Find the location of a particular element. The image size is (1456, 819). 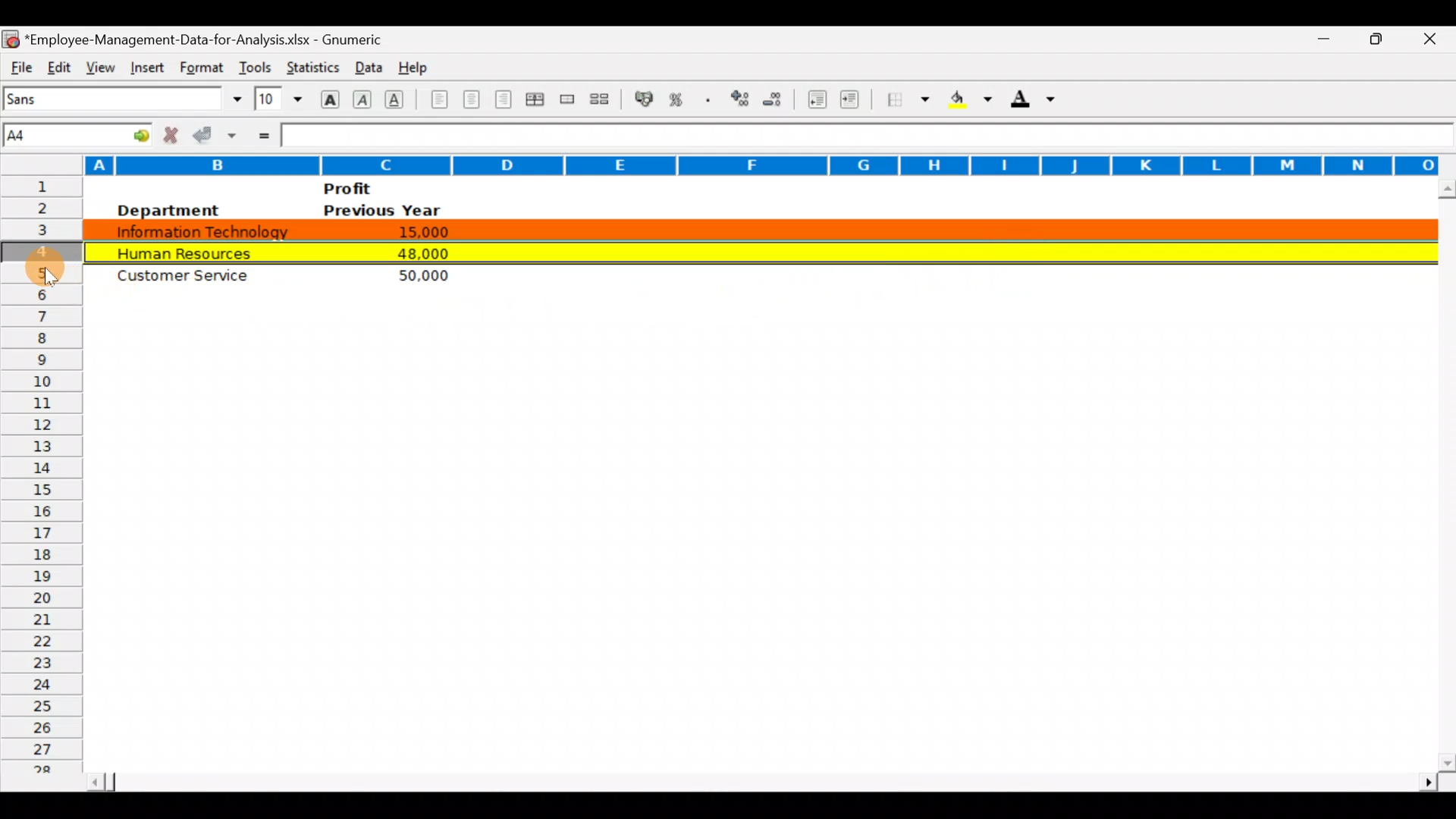

Bold is located at coordinates (328, 98).